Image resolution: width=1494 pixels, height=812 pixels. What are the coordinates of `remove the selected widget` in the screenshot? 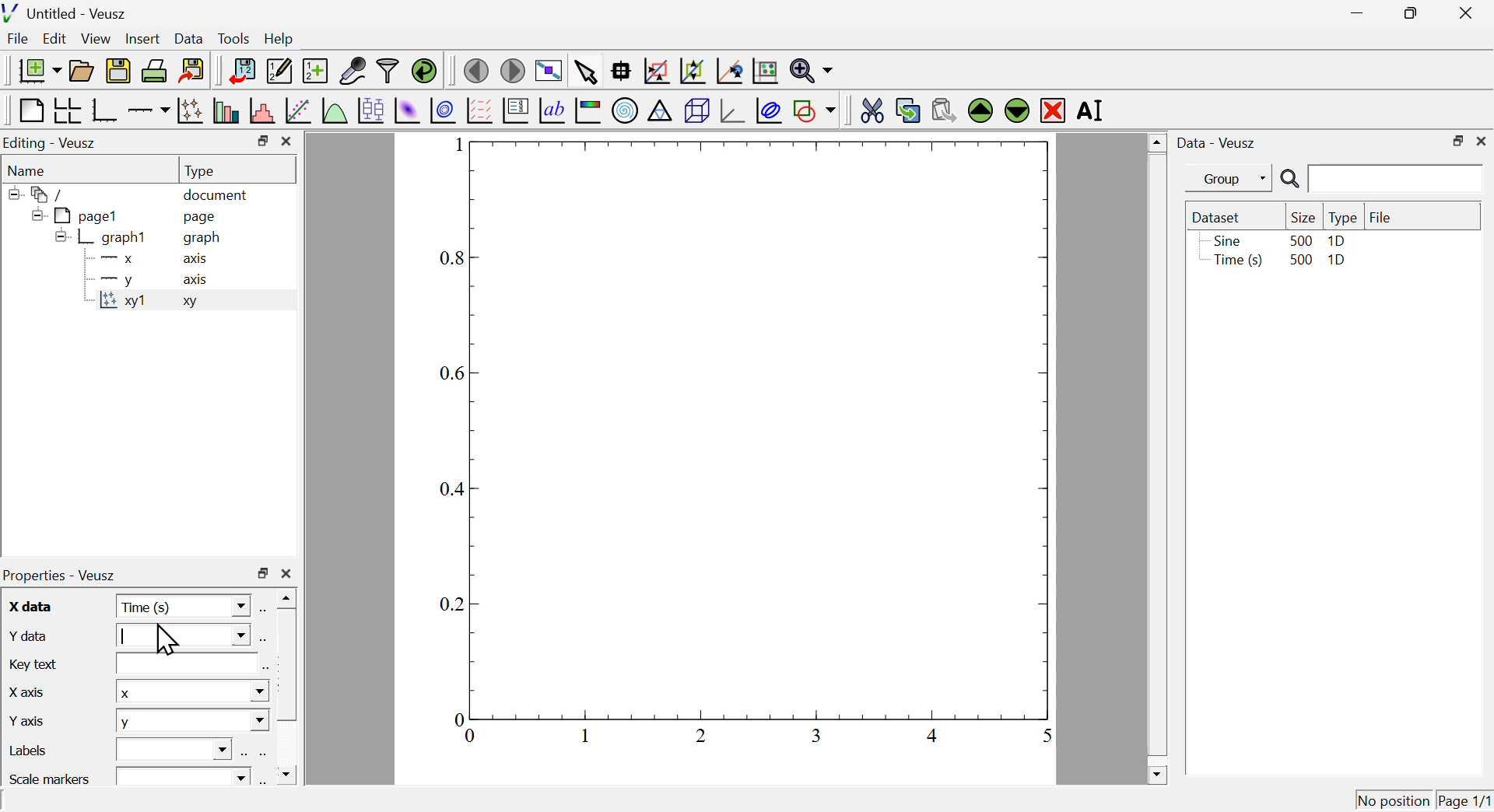 It's located at (1053, 110).